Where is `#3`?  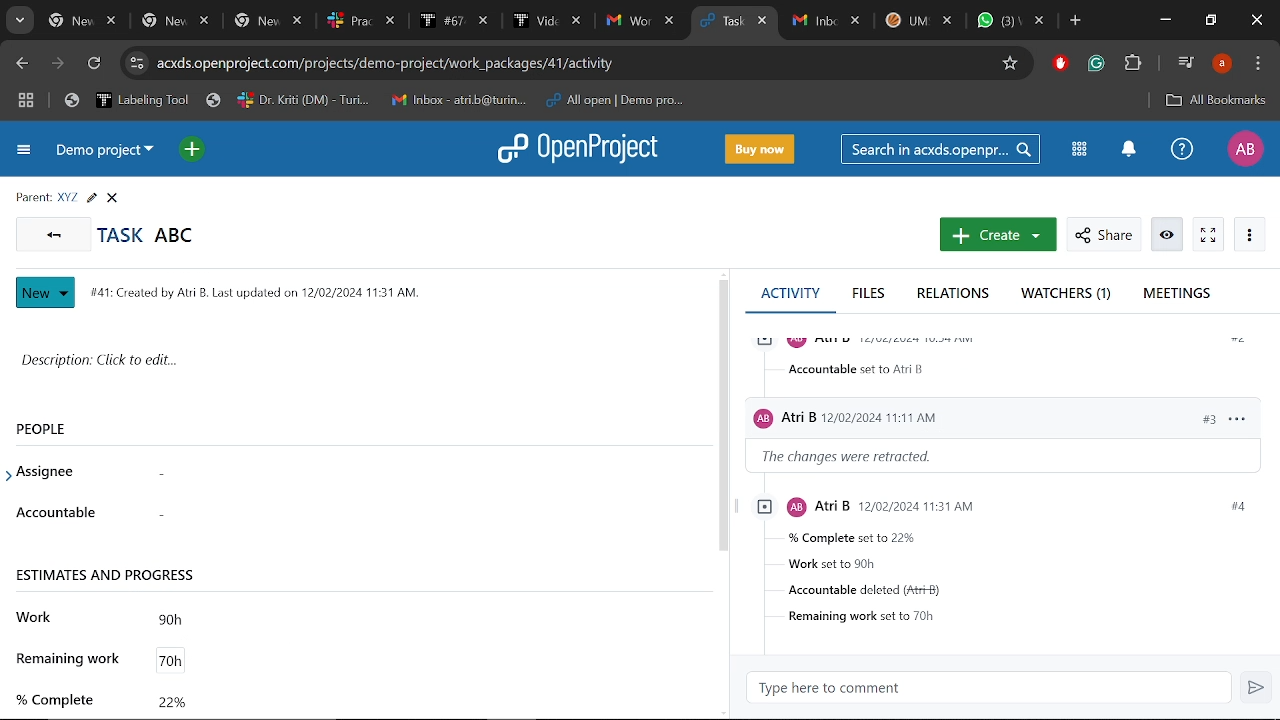
#3 is located at coordinates (1198, 418).